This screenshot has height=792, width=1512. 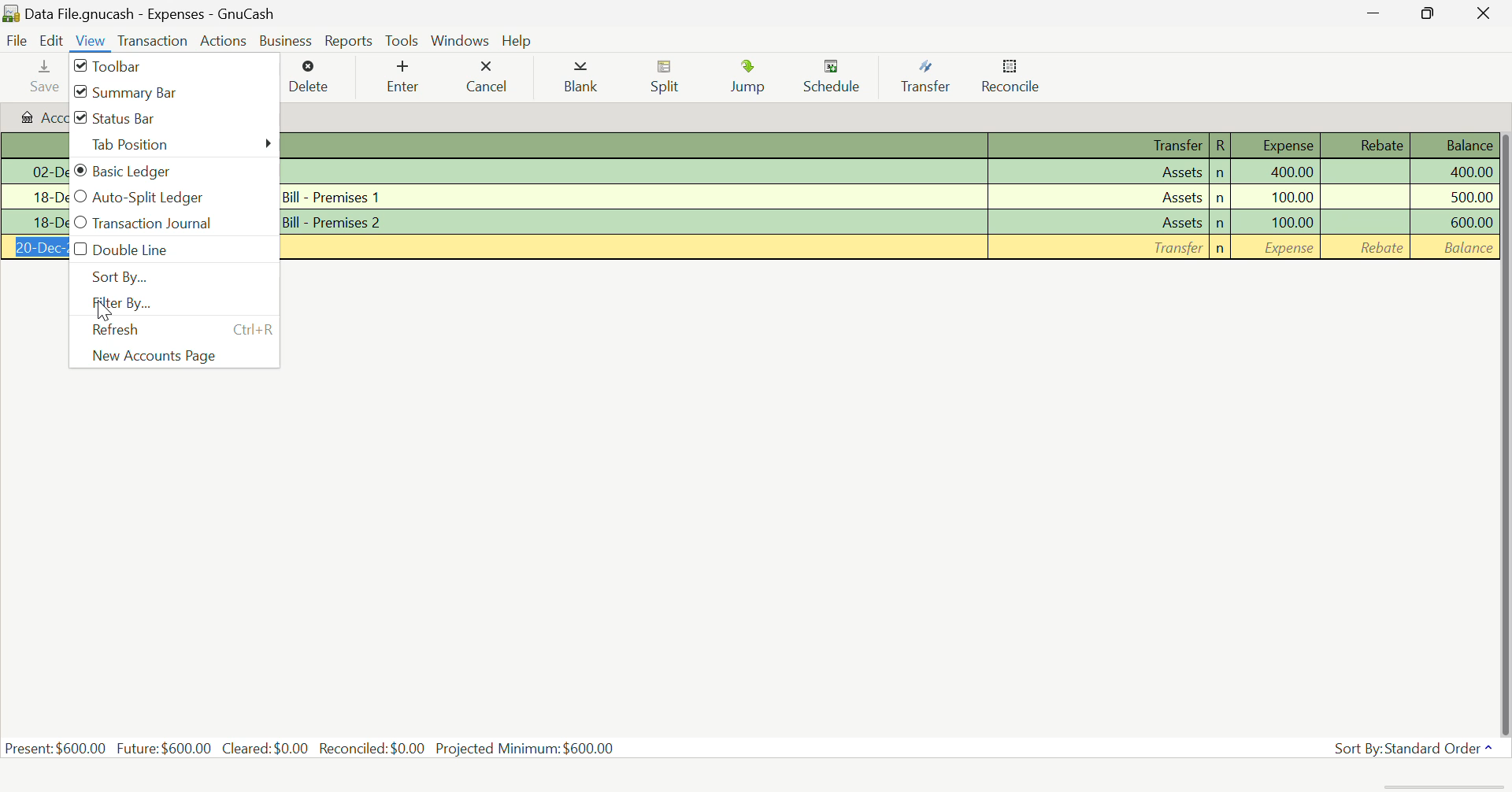 I want to click on Premises 1 Bill, so click(x=633, y=198).